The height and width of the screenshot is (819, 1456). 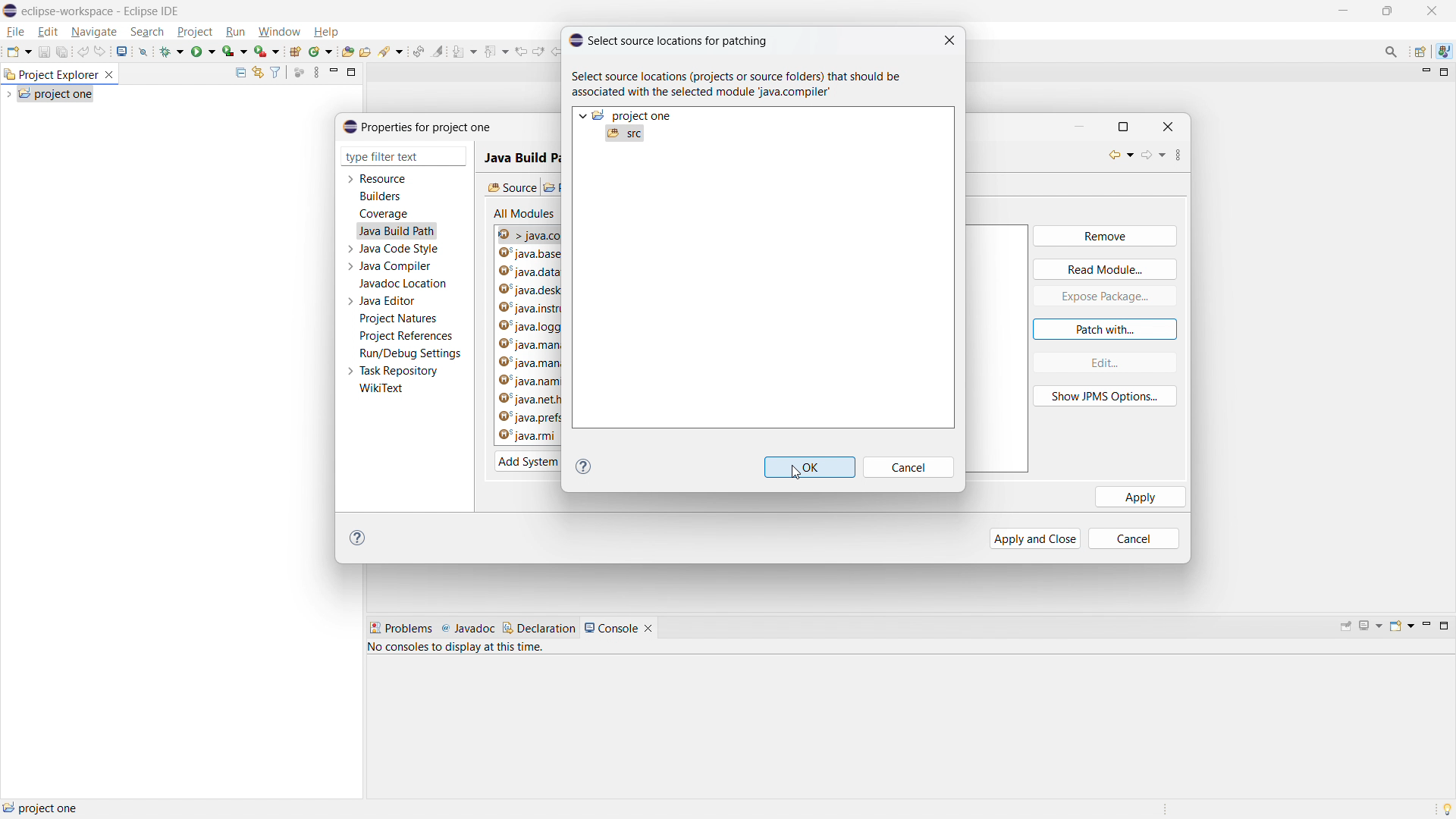 What do you see at coordinates (195, 32) in the screenshot?
I see `project` at bounding box center [195, 32].